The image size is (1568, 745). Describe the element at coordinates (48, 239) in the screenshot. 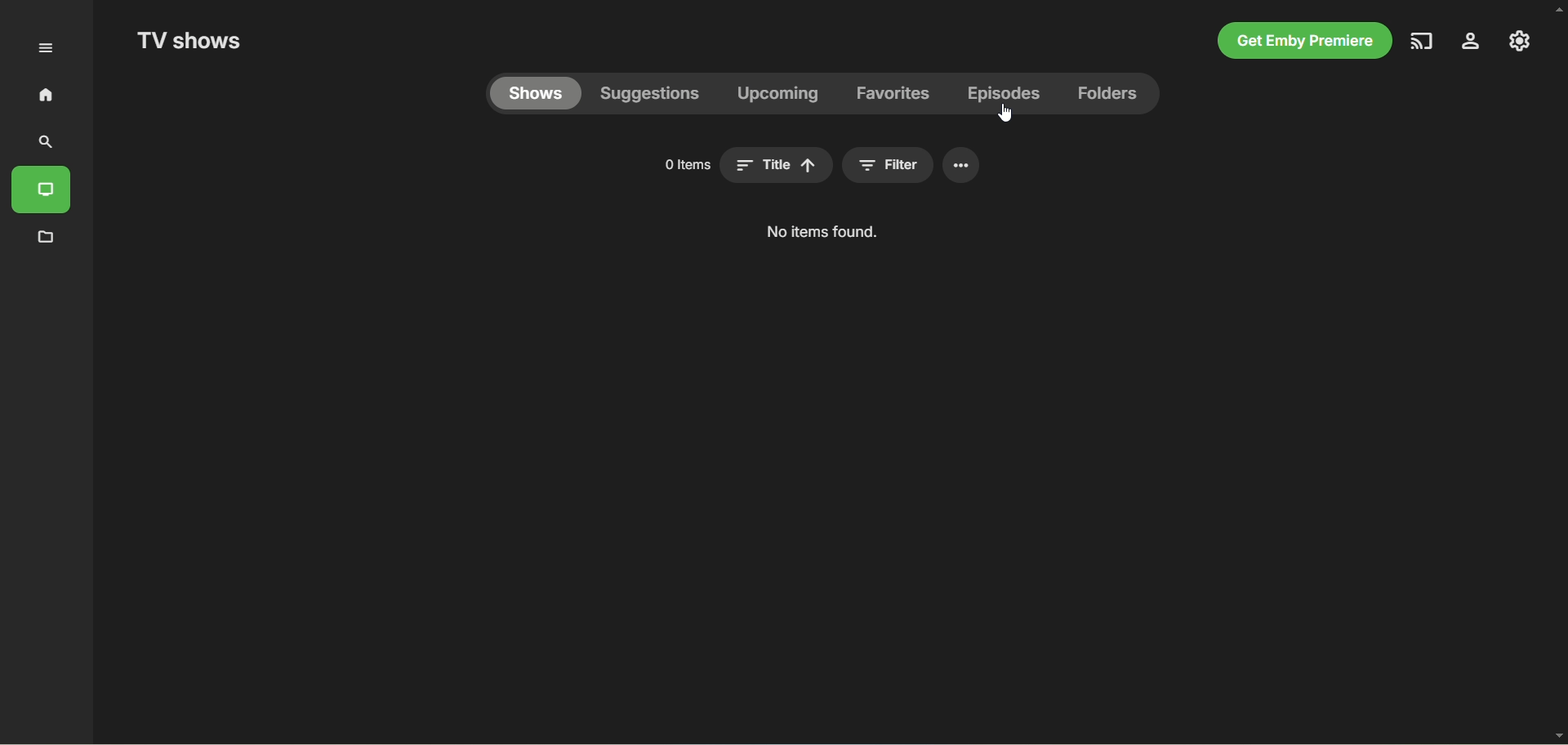

I see `folder` at that location.